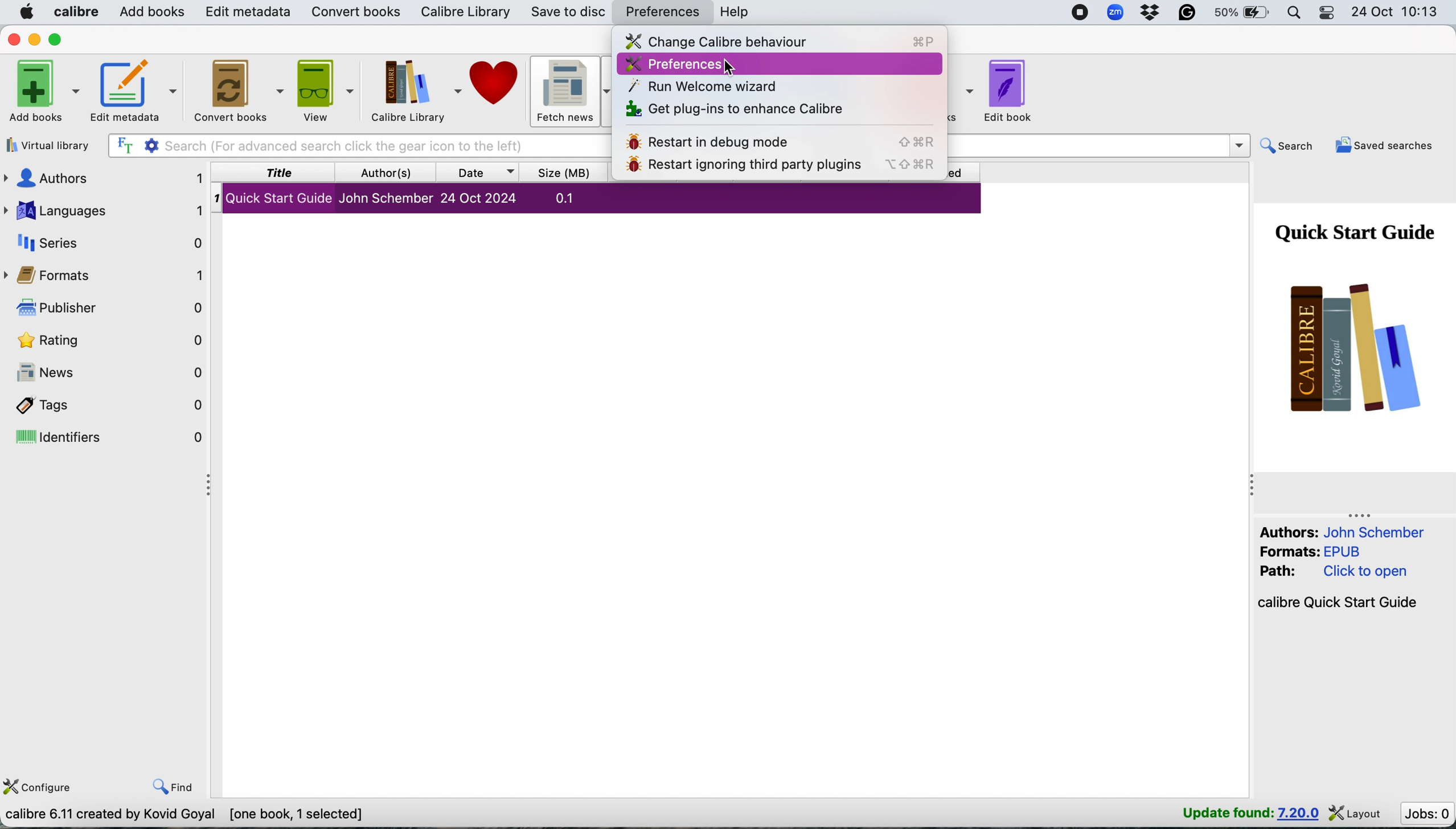  I want to click on zoom, so click(1114, 13).